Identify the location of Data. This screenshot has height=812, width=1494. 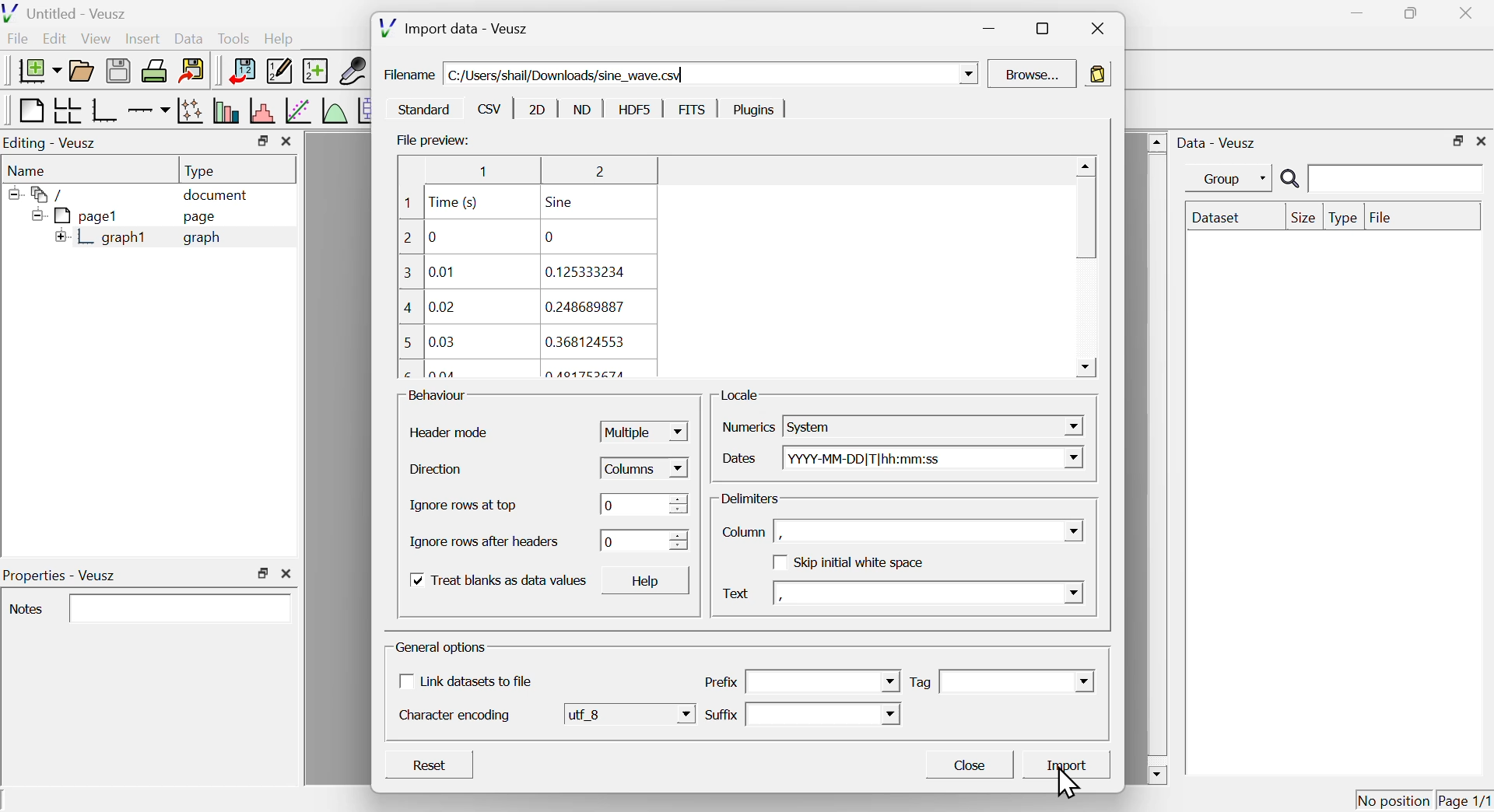
(189, 37).